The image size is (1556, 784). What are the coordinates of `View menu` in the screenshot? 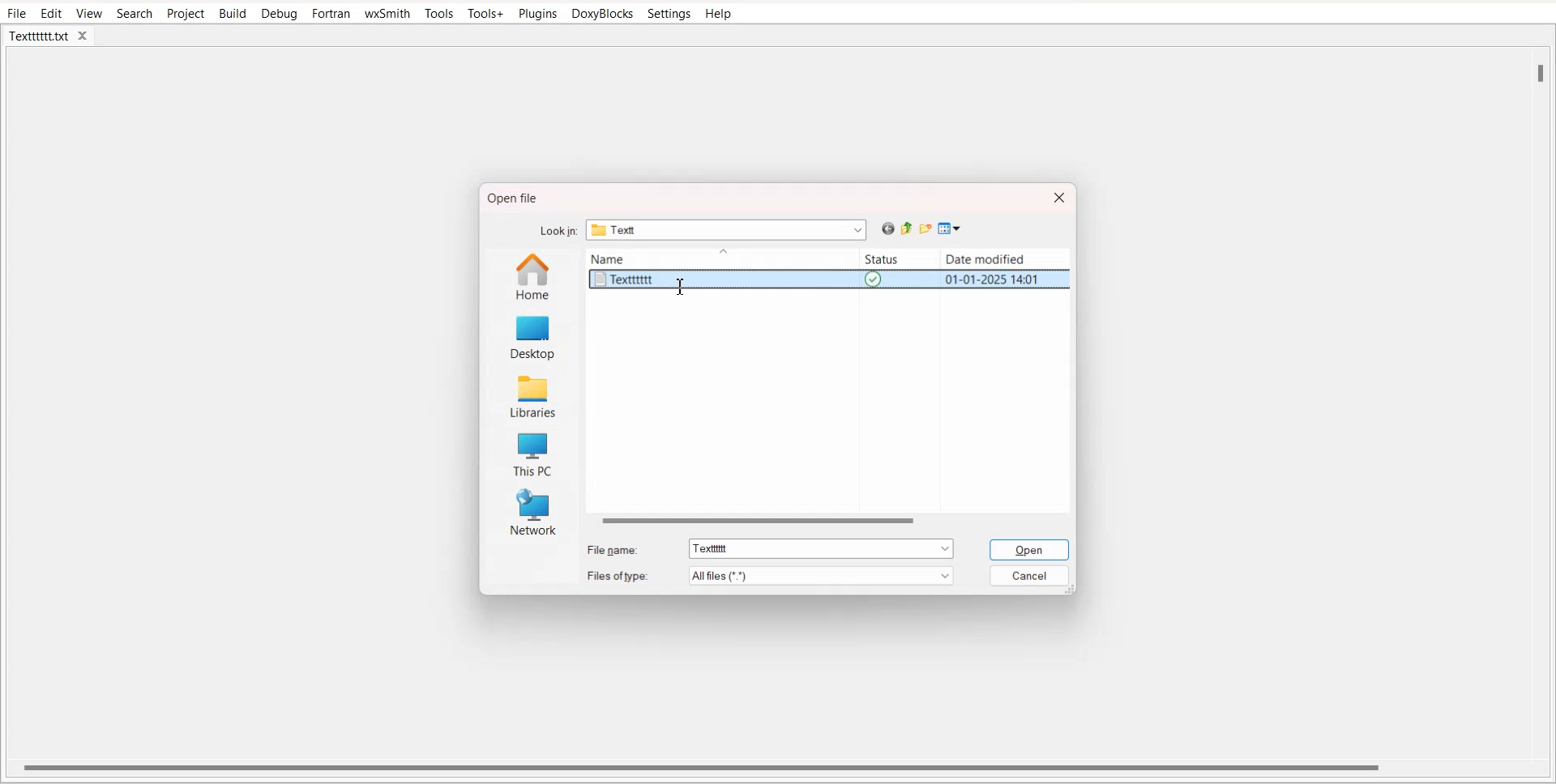 It's located at (953, 229).